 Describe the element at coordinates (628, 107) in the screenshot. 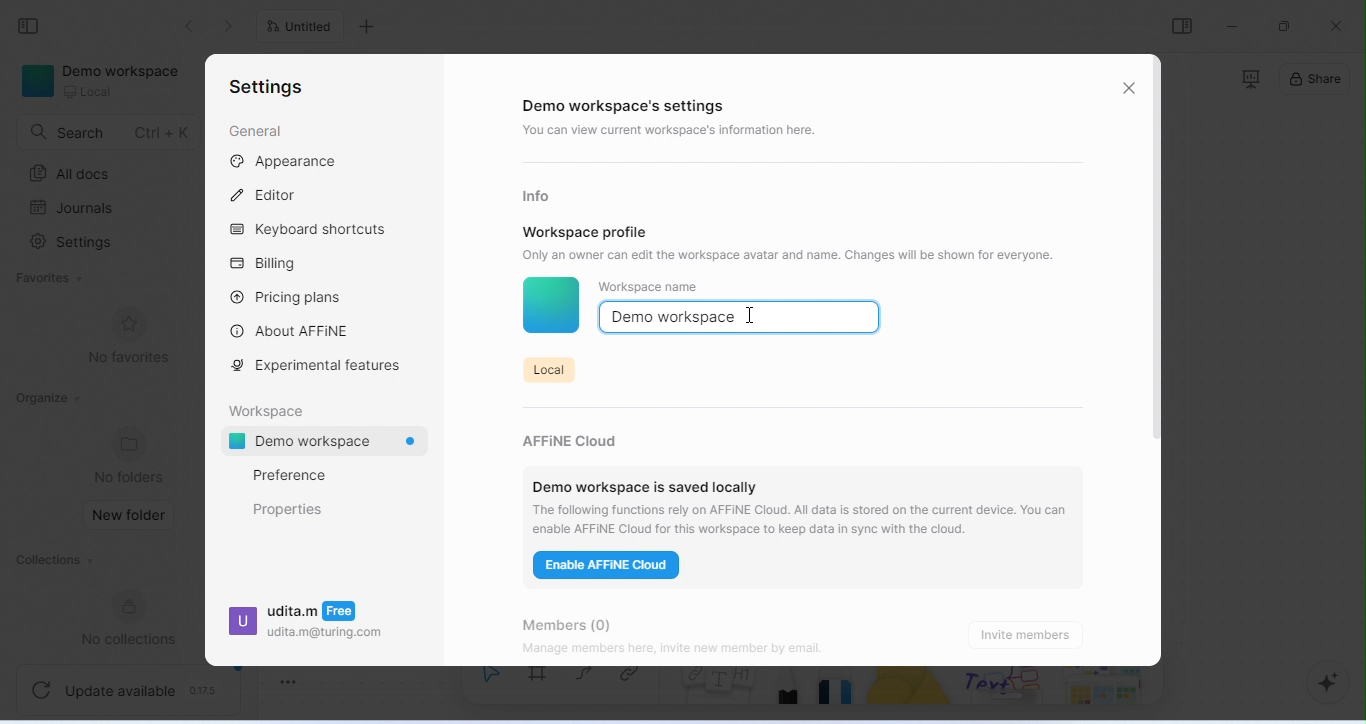

I see `demo workspace's settings` at that location.